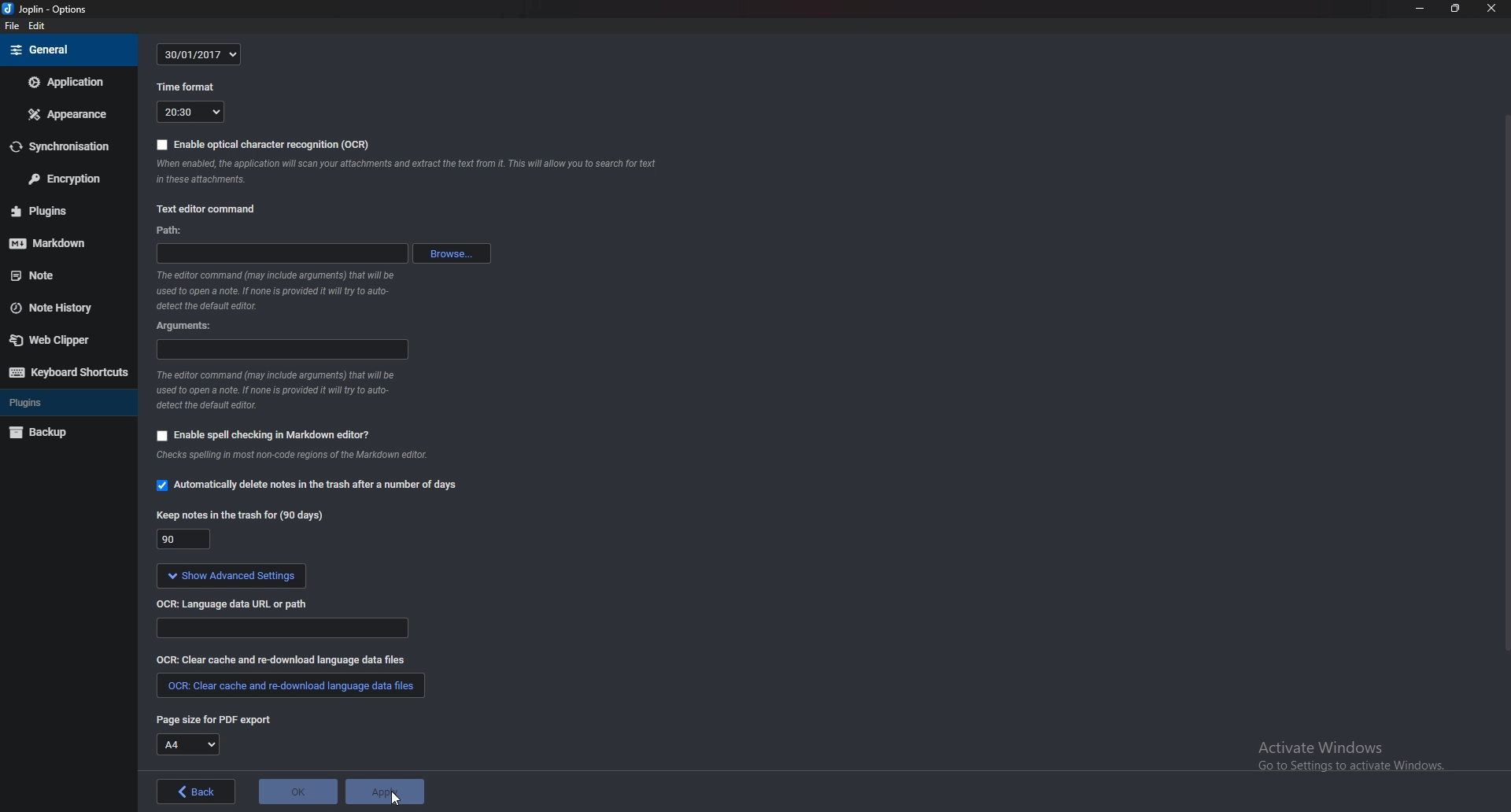  Describe the element at coordinates (278, 254) in the screenshot. I see `path` at that location.